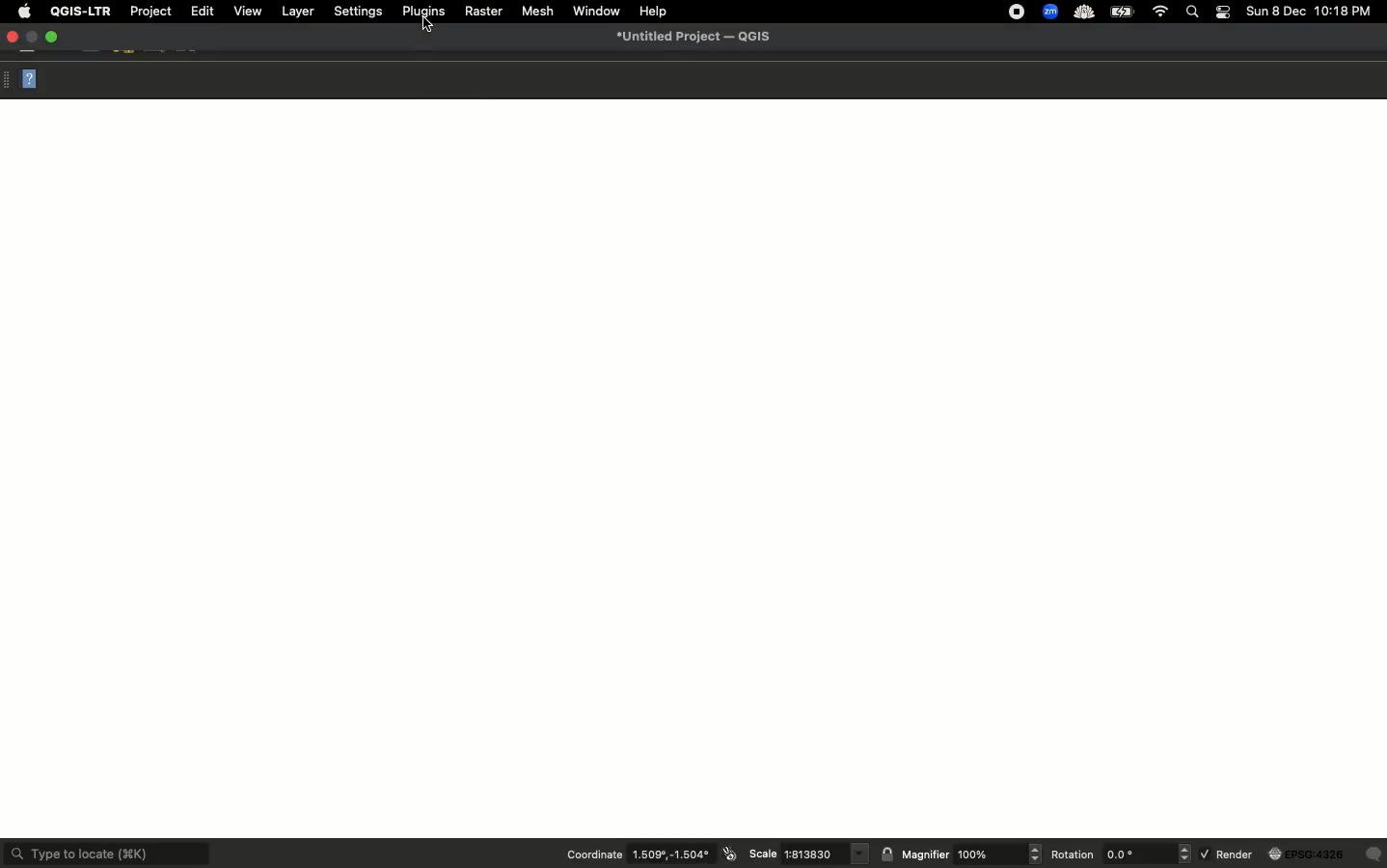  I want to click on Search, so click(1194, 12).